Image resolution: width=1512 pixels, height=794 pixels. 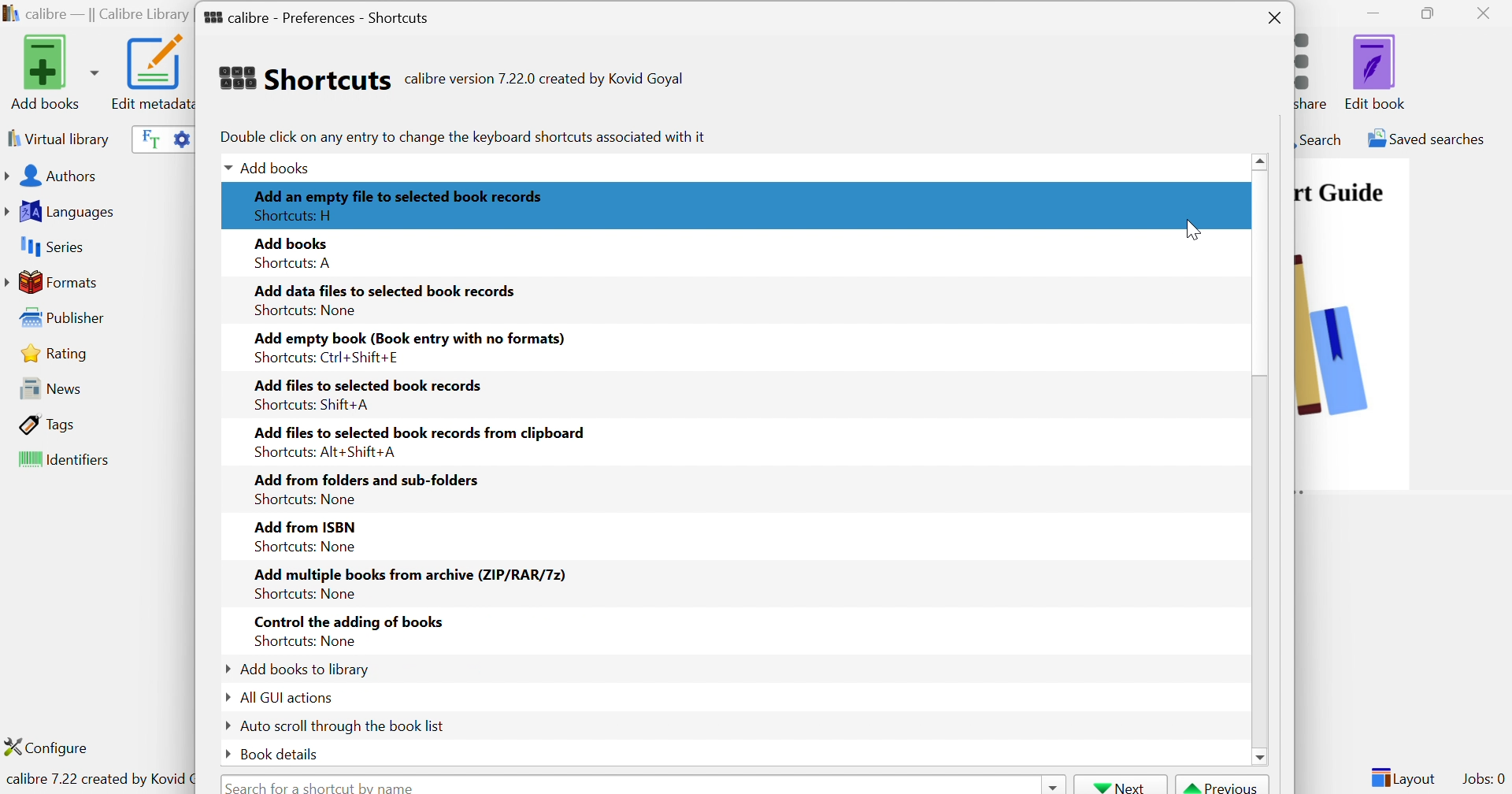 I want to click on Cursor, so click(x=1194, y=228).